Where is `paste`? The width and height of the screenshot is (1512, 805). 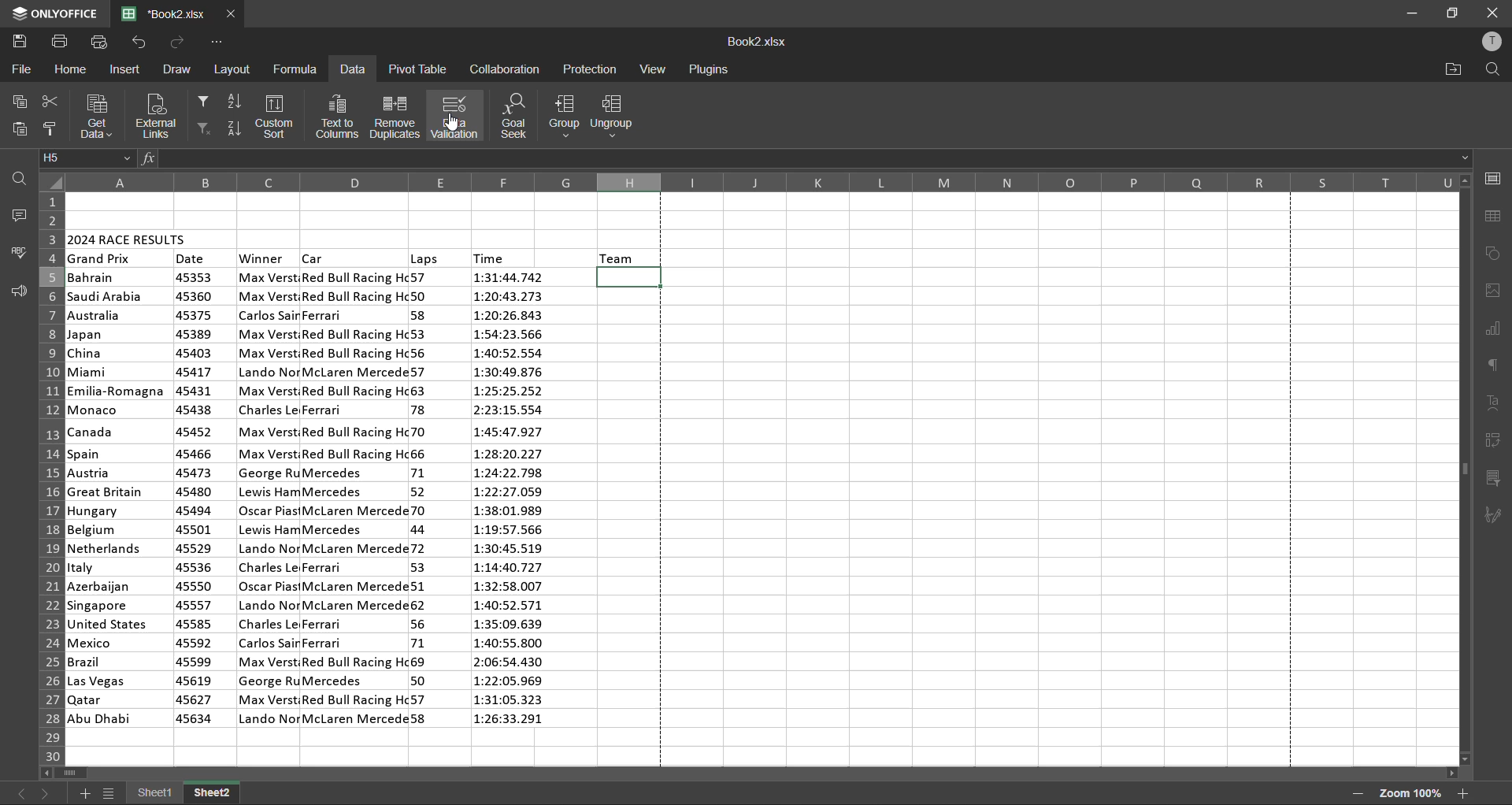
paste is located at coordinates (17, 131).